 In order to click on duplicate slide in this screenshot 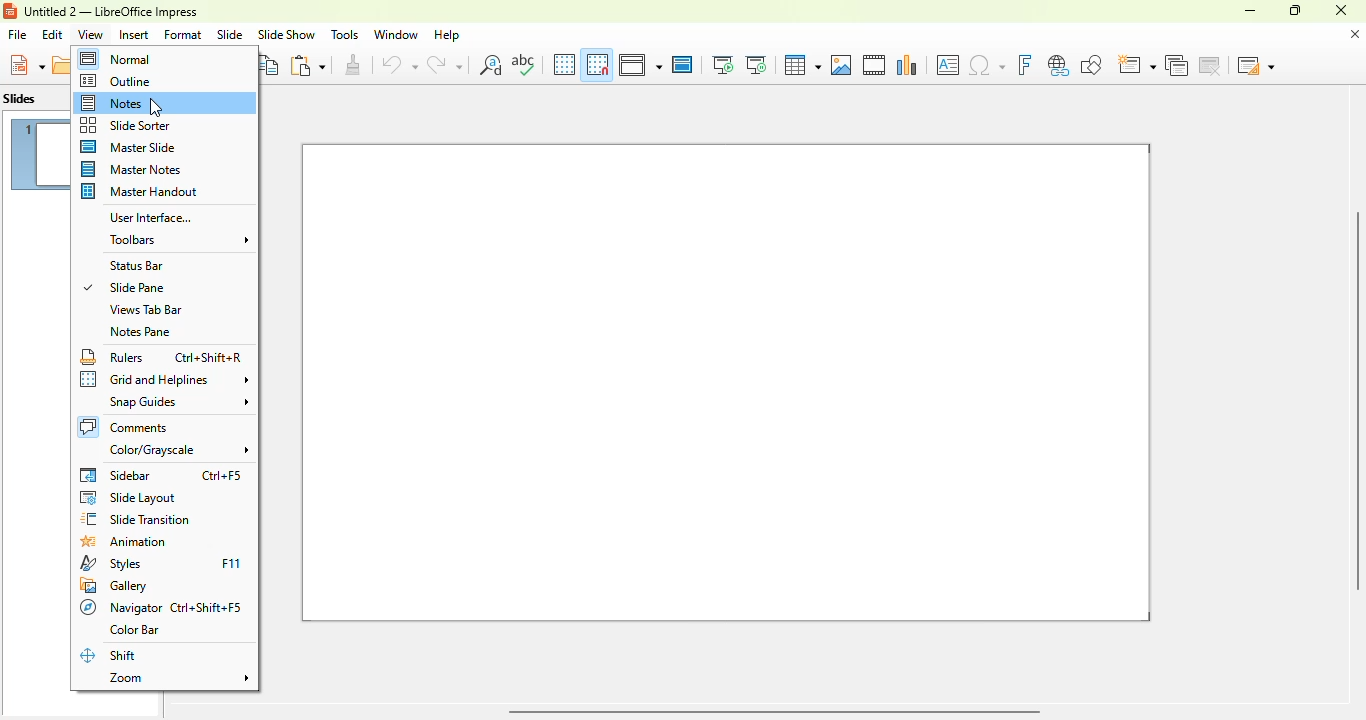, I will do `click(1176, 64)`.